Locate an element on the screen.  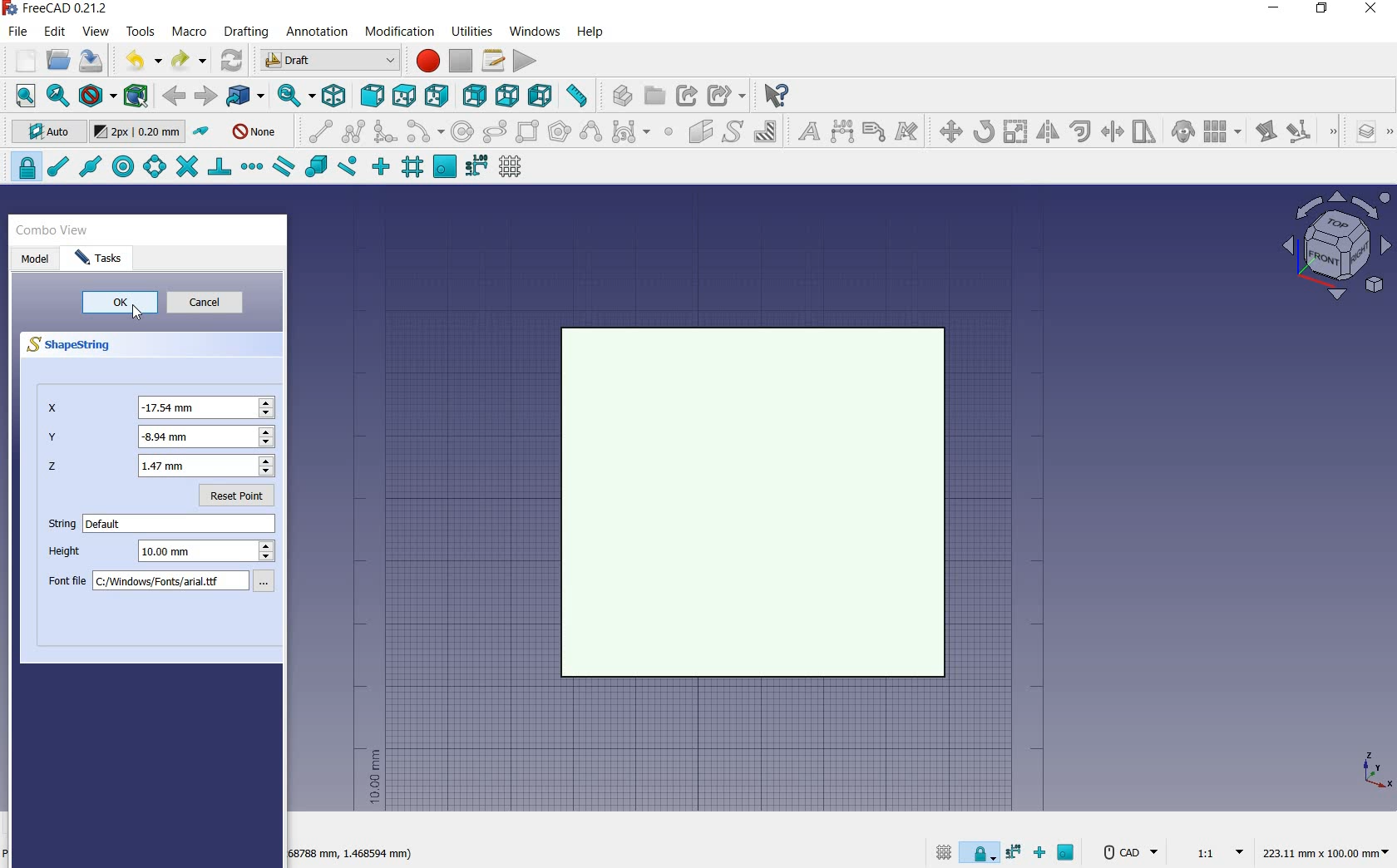
CAD Navigation Style is located at coordinates (1128, 852).